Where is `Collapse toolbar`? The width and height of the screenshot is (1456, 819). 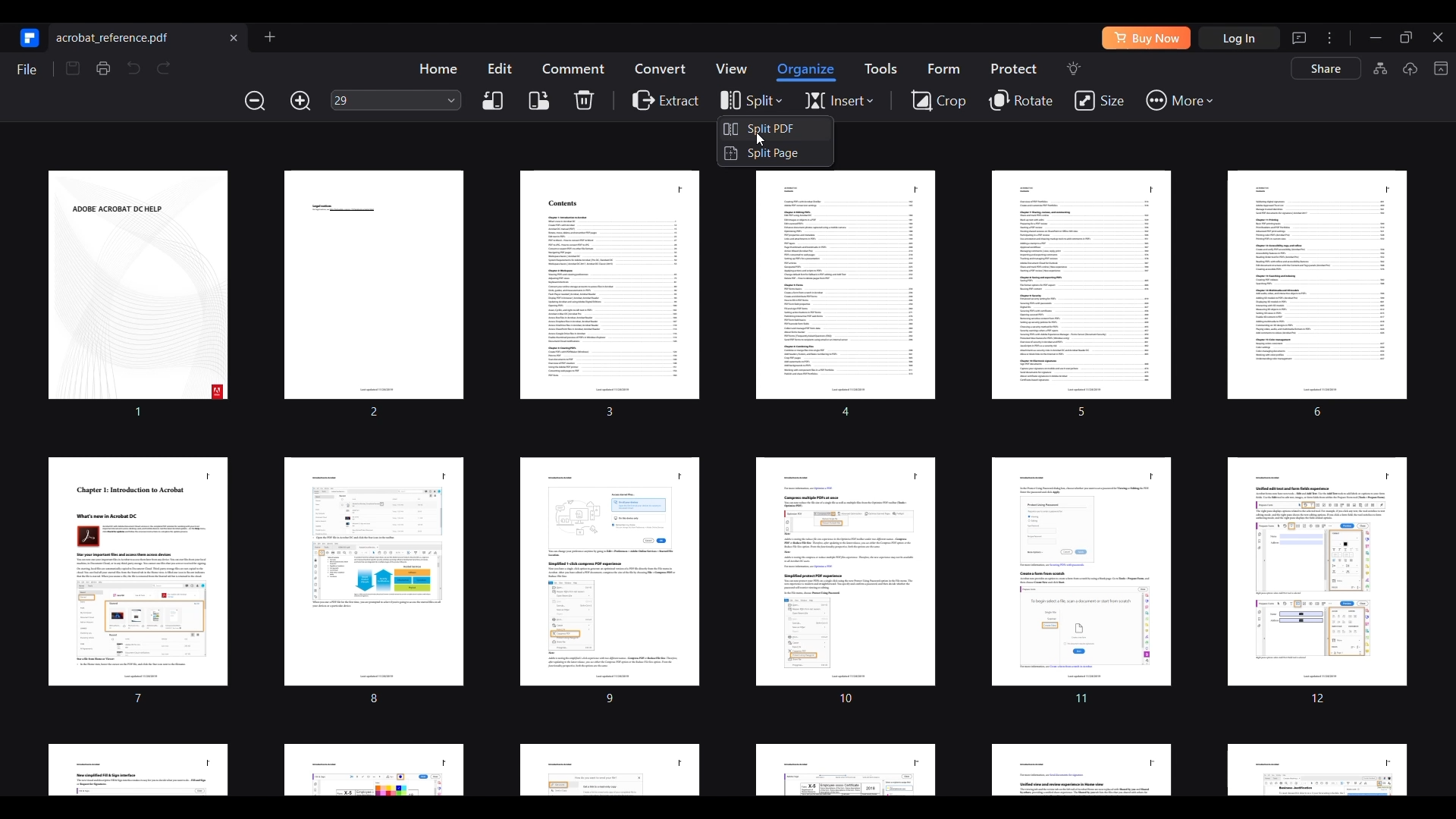
Collapse toolbar is located at coordinates (1440, 68).